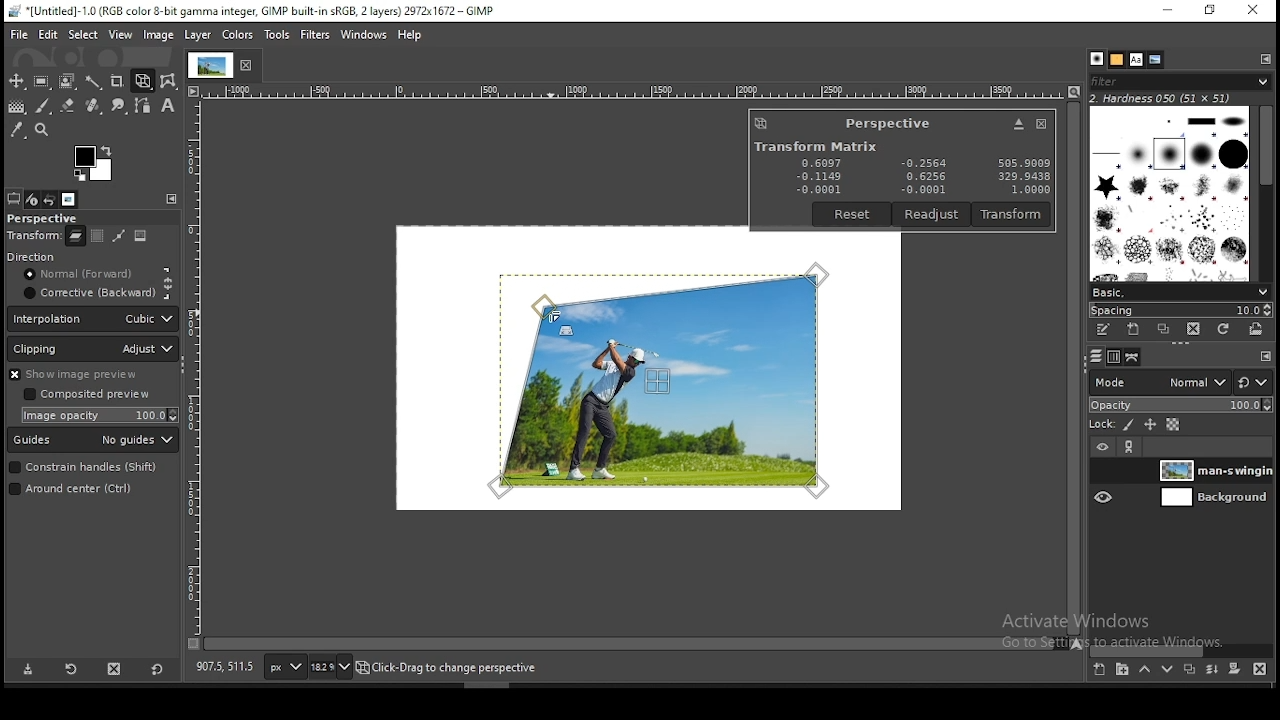  I want to click on 329.9438, so click(1025, 177).